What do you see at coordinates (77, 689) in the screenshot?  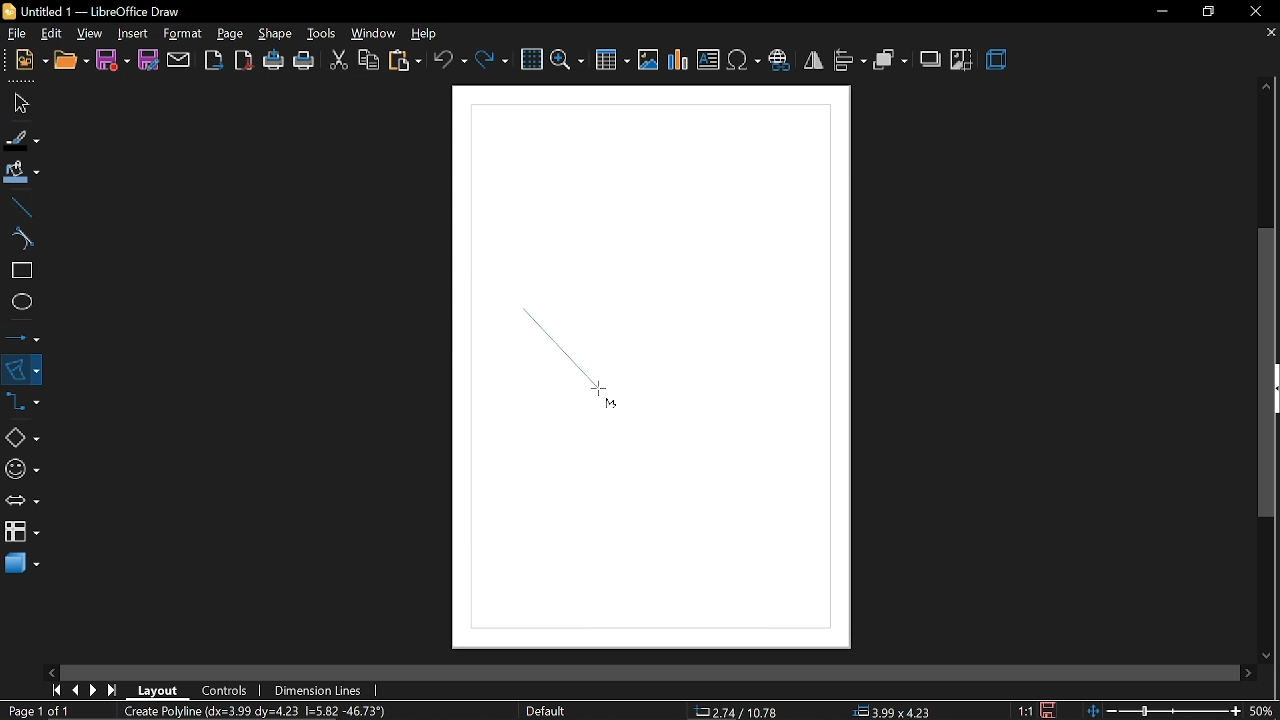 I see `previous page` at bounding box center [77, 689].